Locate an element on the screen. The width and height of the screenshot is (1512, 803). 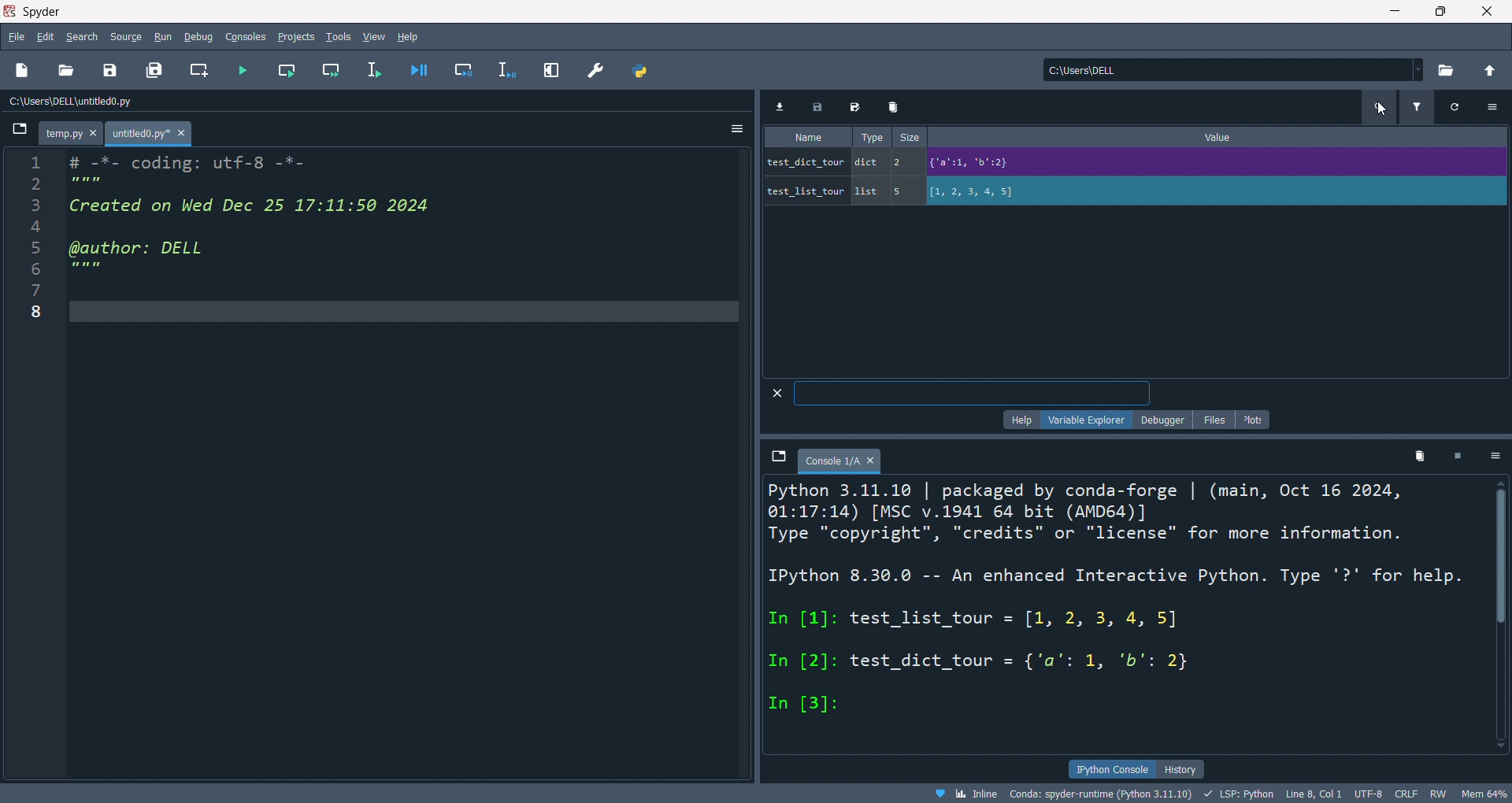
save as is located at coordinates (858, 105).